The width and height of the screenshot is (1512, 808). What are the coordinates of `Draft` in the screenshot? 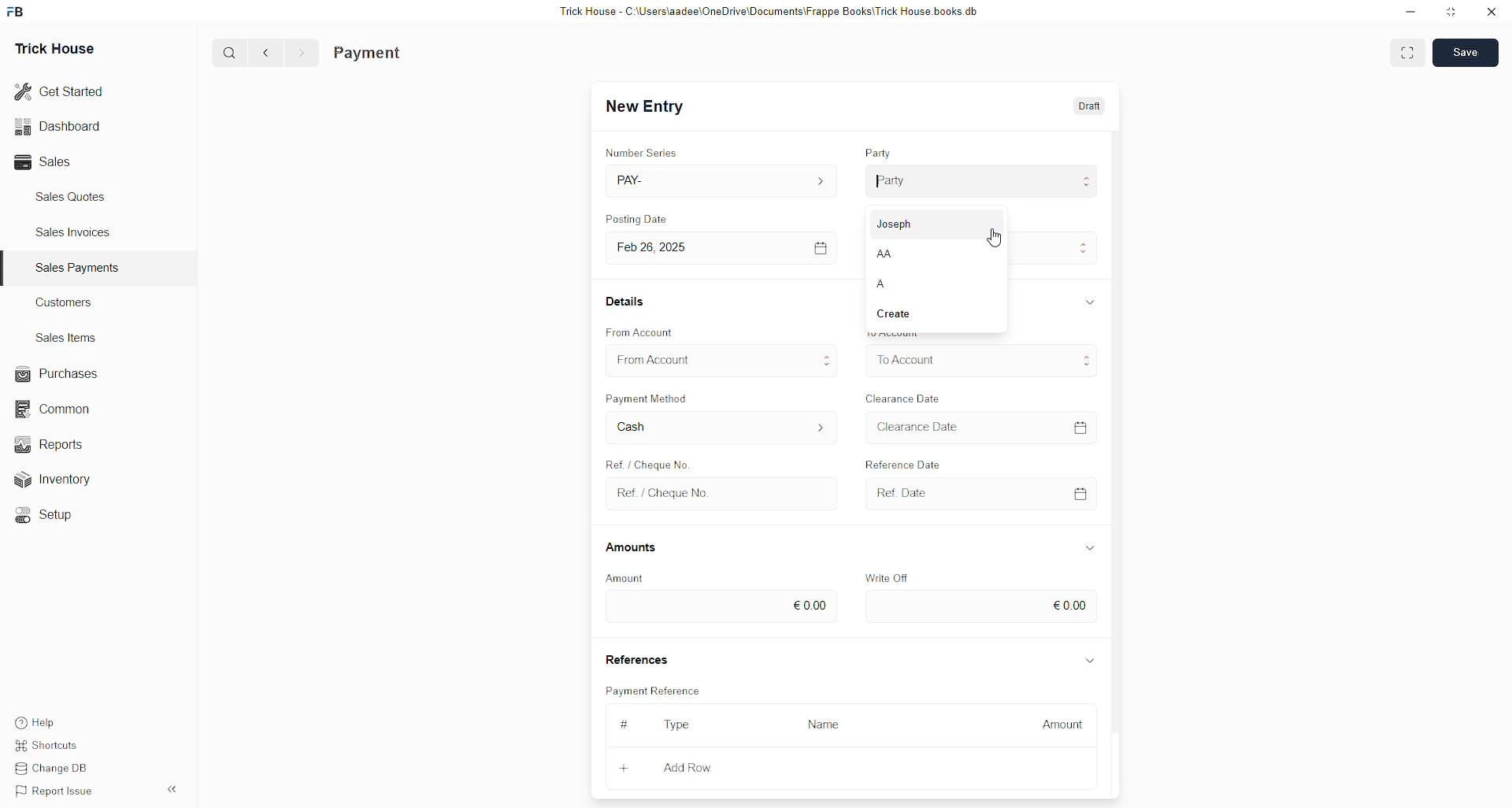 It's located at (1091, 105).